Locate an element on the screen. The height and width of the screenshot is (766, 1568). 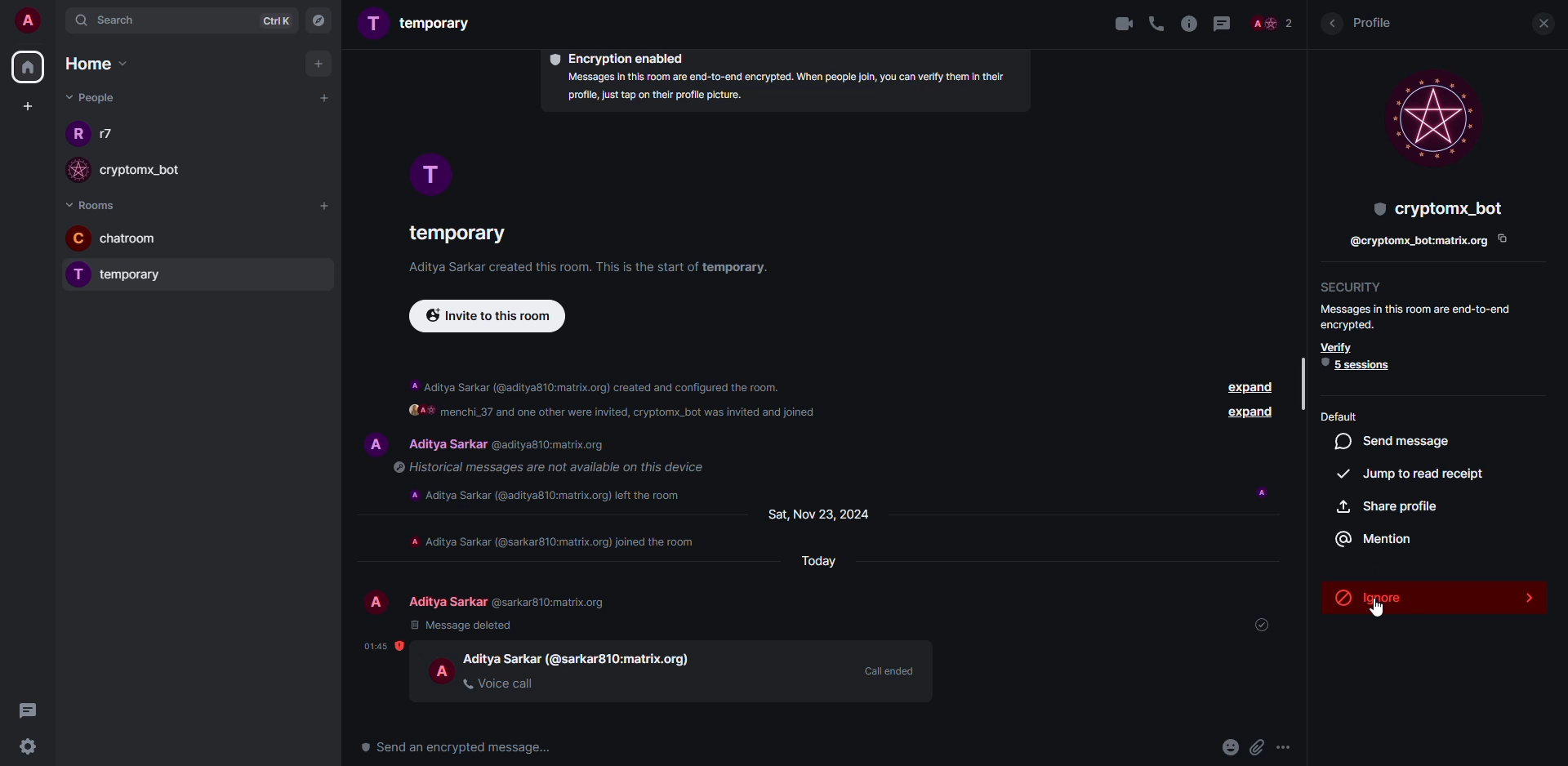
people is located at coordinates (1272, 23).